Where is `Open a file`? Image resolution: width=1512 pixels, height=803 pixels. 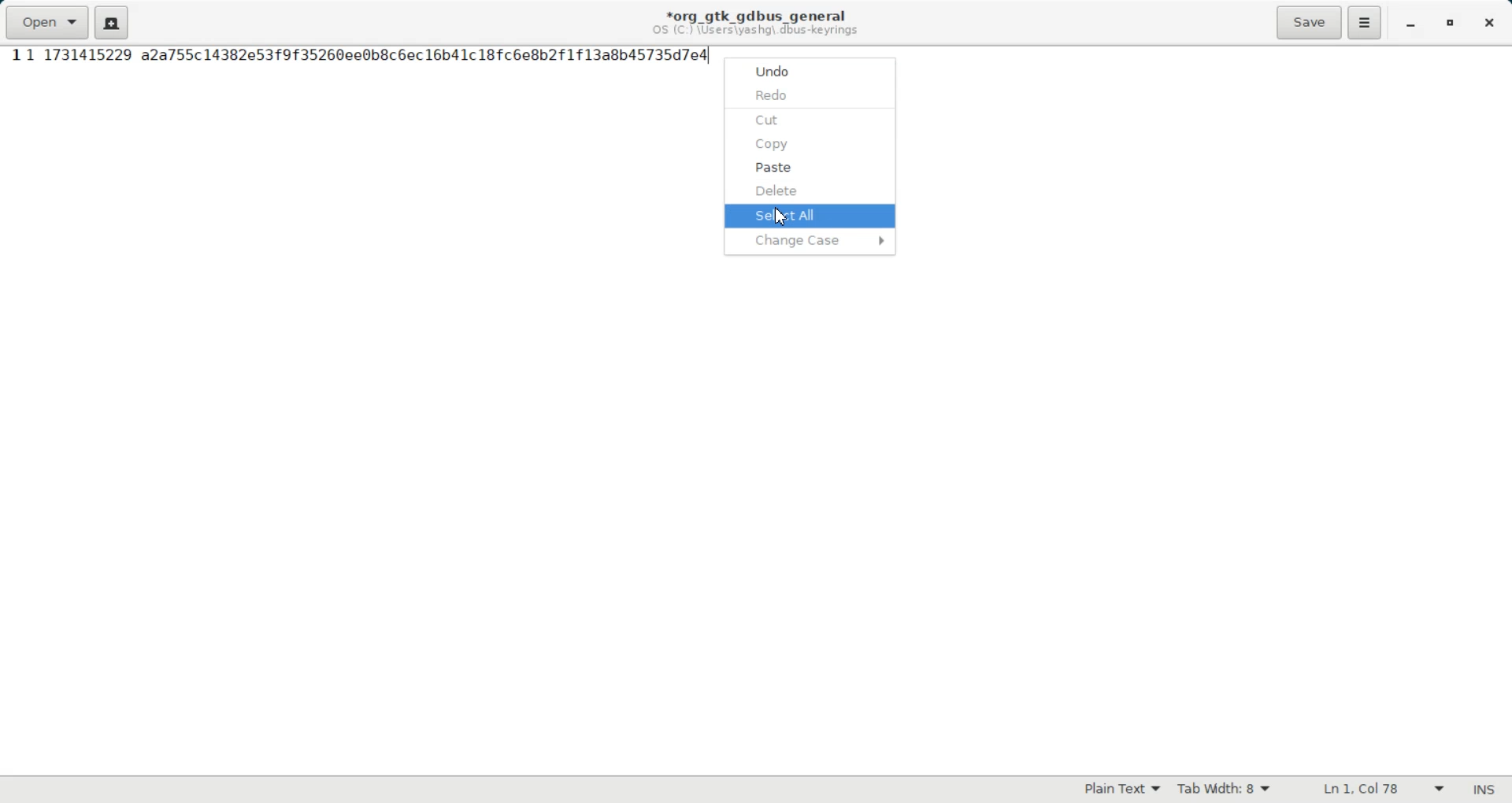 Open a file is located at coordinates (46, 22).